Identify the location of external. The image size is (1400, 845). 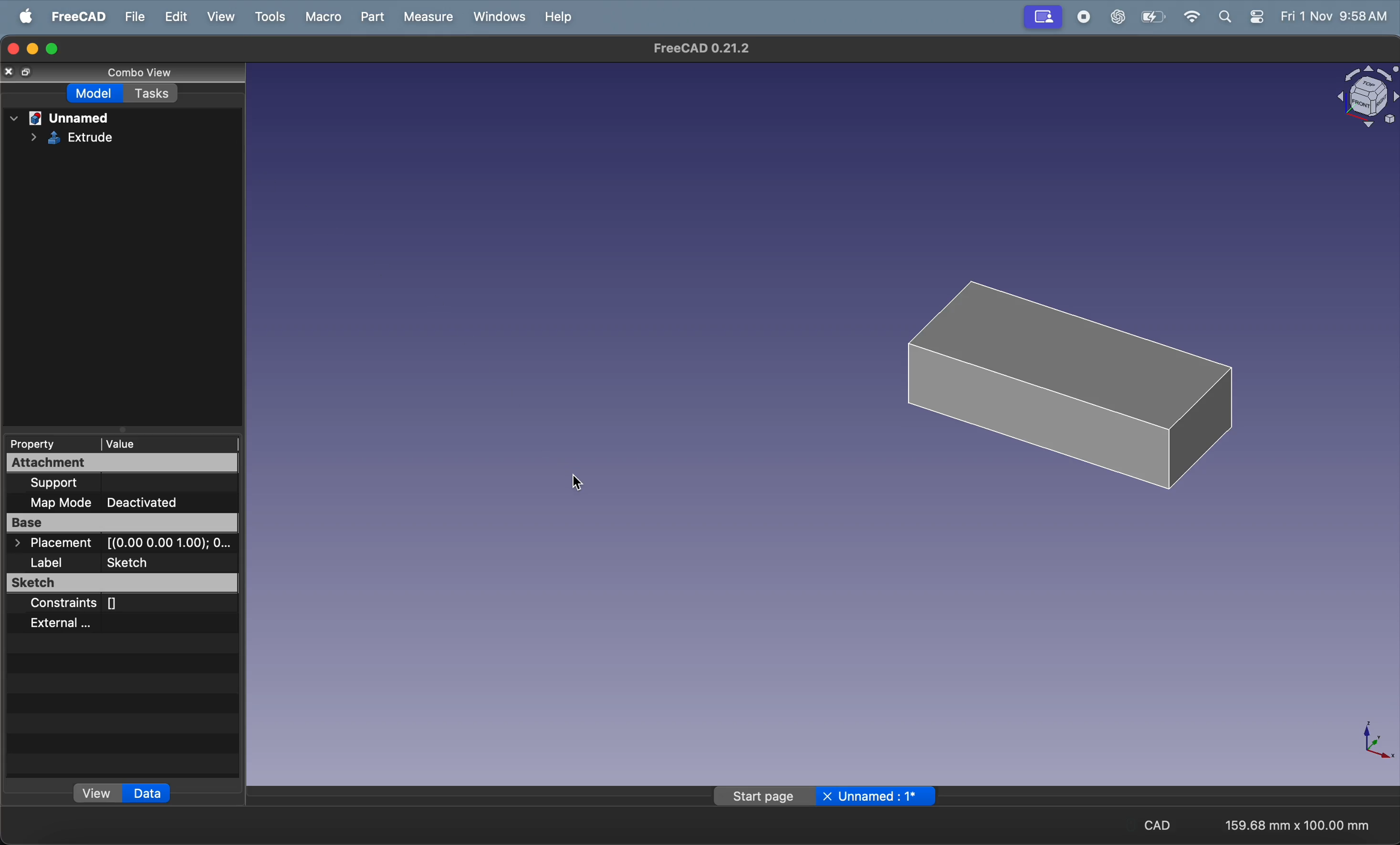
(77, 622).